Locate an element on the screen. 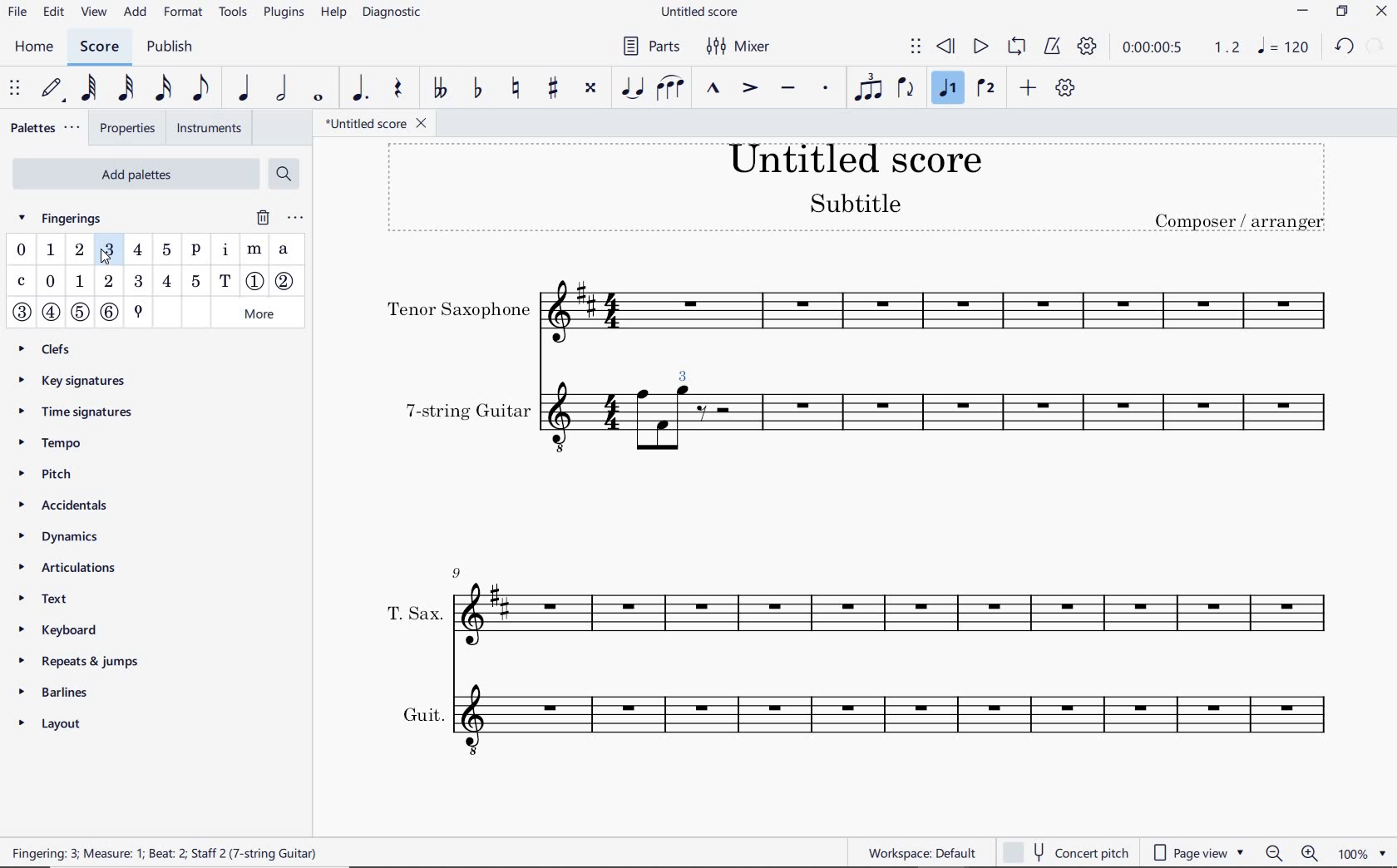 Image resolution: width=1397 pixels, height=868 pixels. METRONOME is located at coordinates (1054, 47).